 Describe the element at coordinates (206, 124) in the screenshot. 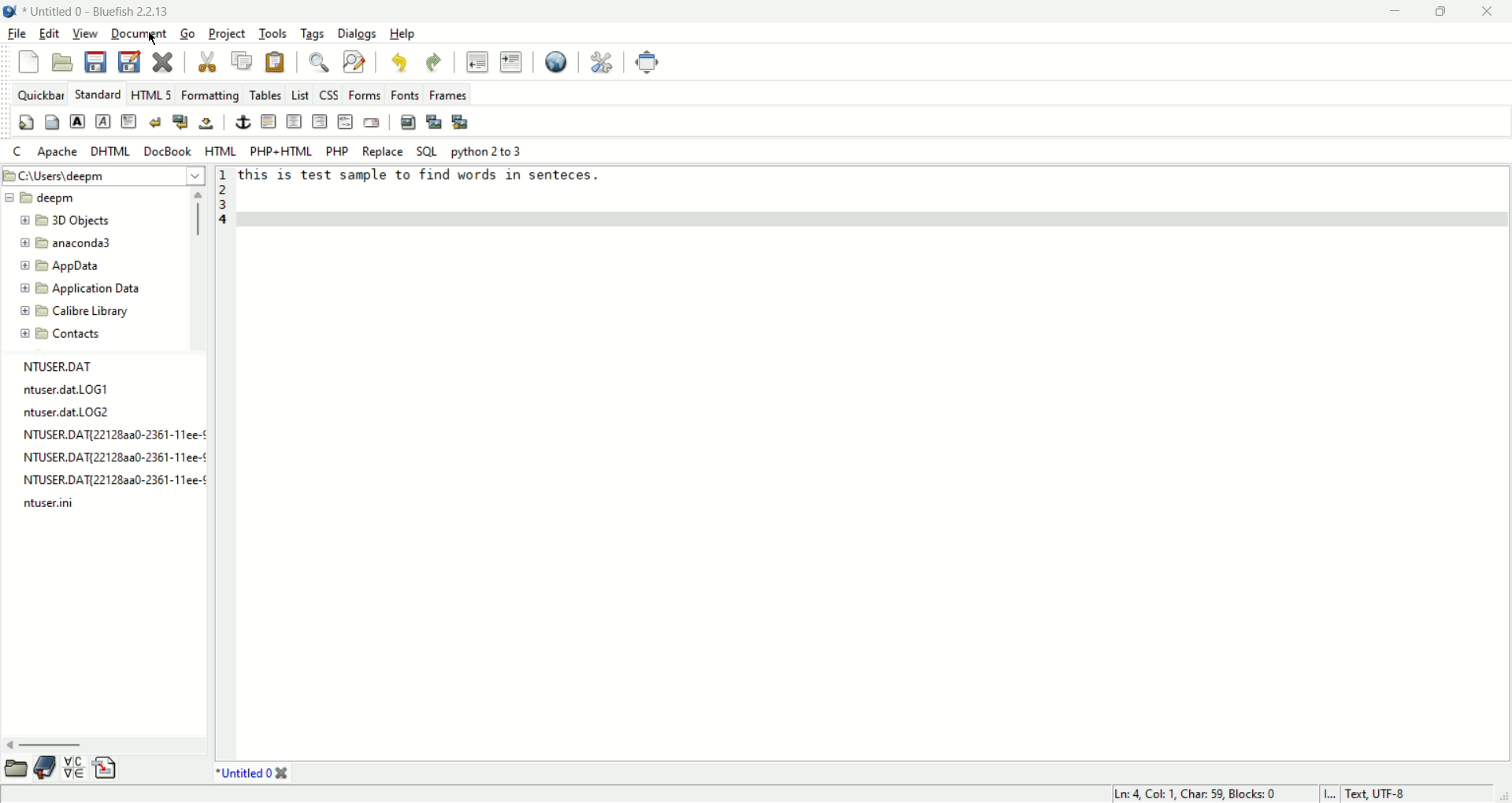

I see `non breaking space` at that location.